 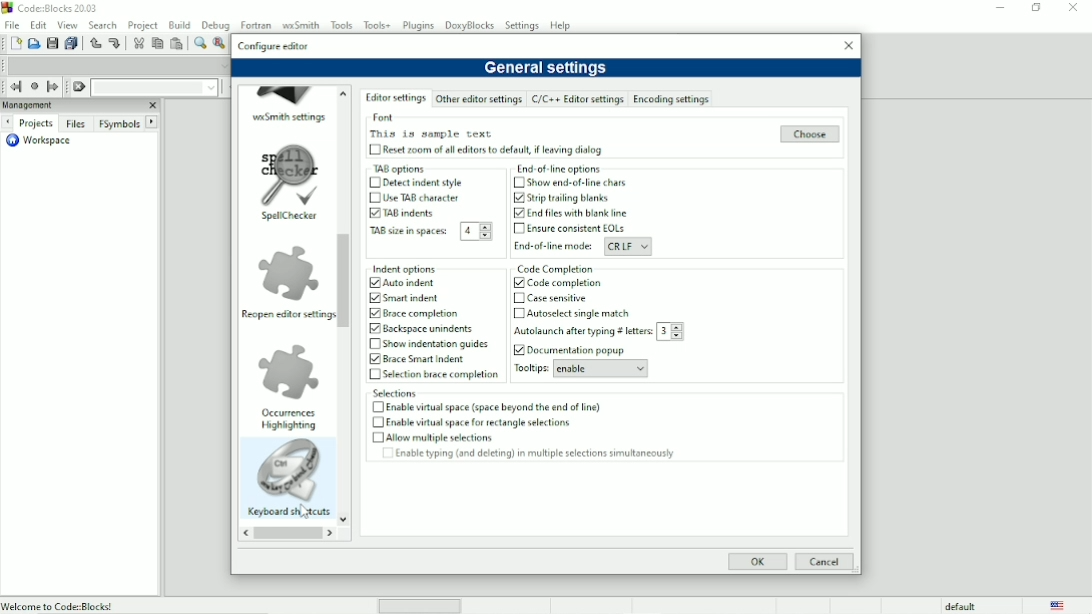 What do you see at coordinates (14, 87) in the screenshot?
I see `Jump back` at bounding box center [14, 87].